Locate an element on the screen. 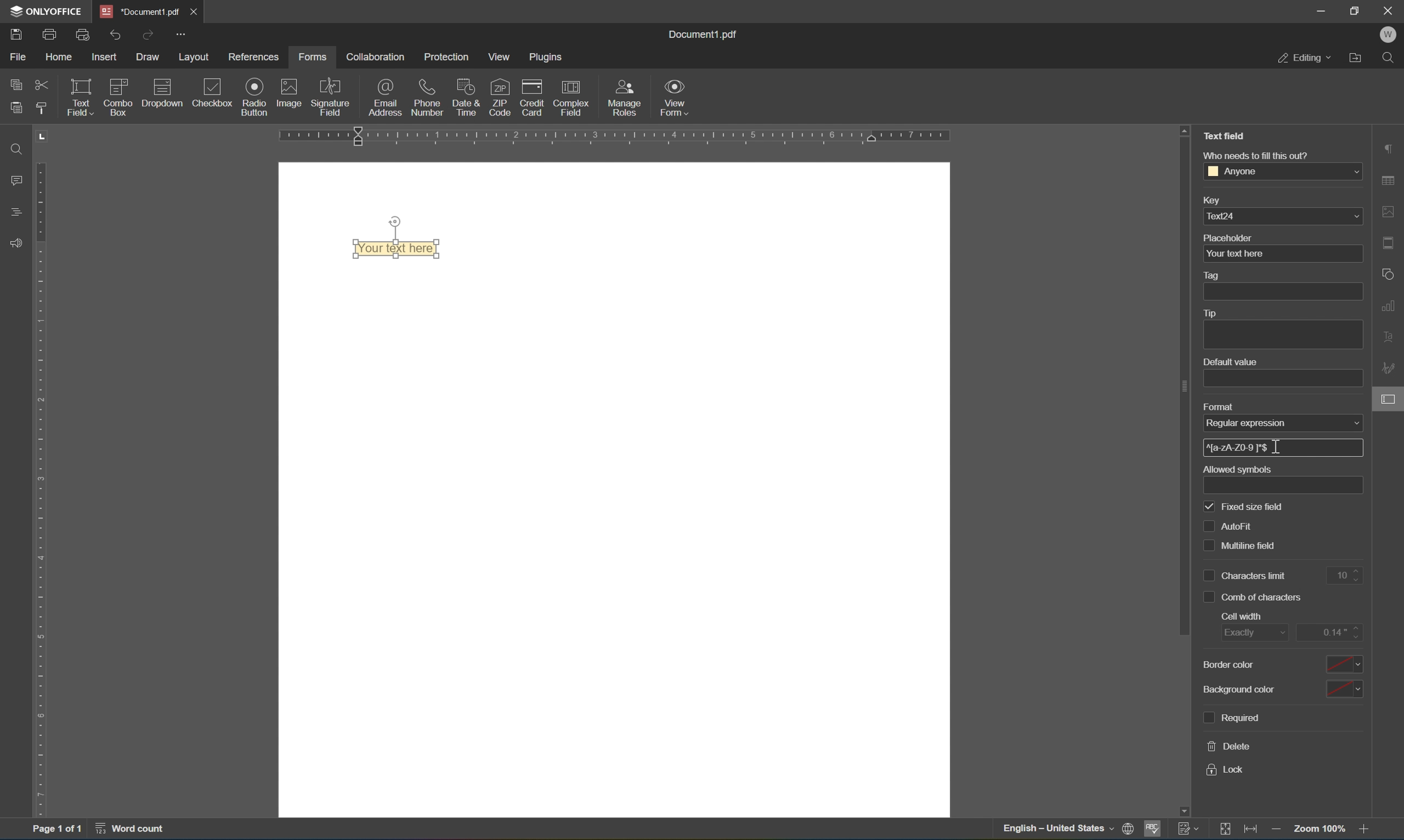 The width and height of the screenshot is (1404, 840). allowed symbols is located at coordinates (1237, 469).